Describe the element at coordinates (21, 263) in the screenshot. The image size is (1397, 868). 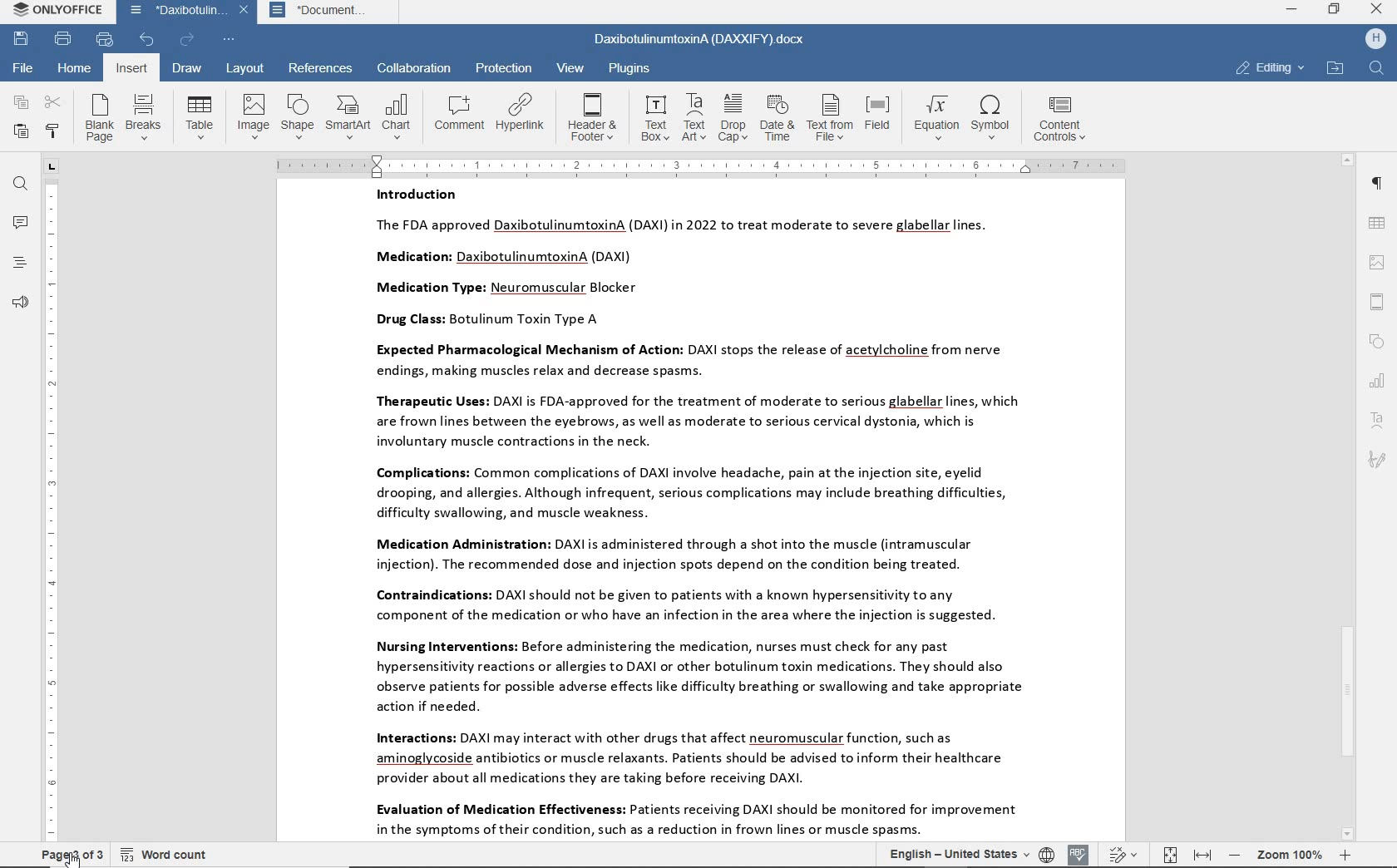
I see `heading` at that location.